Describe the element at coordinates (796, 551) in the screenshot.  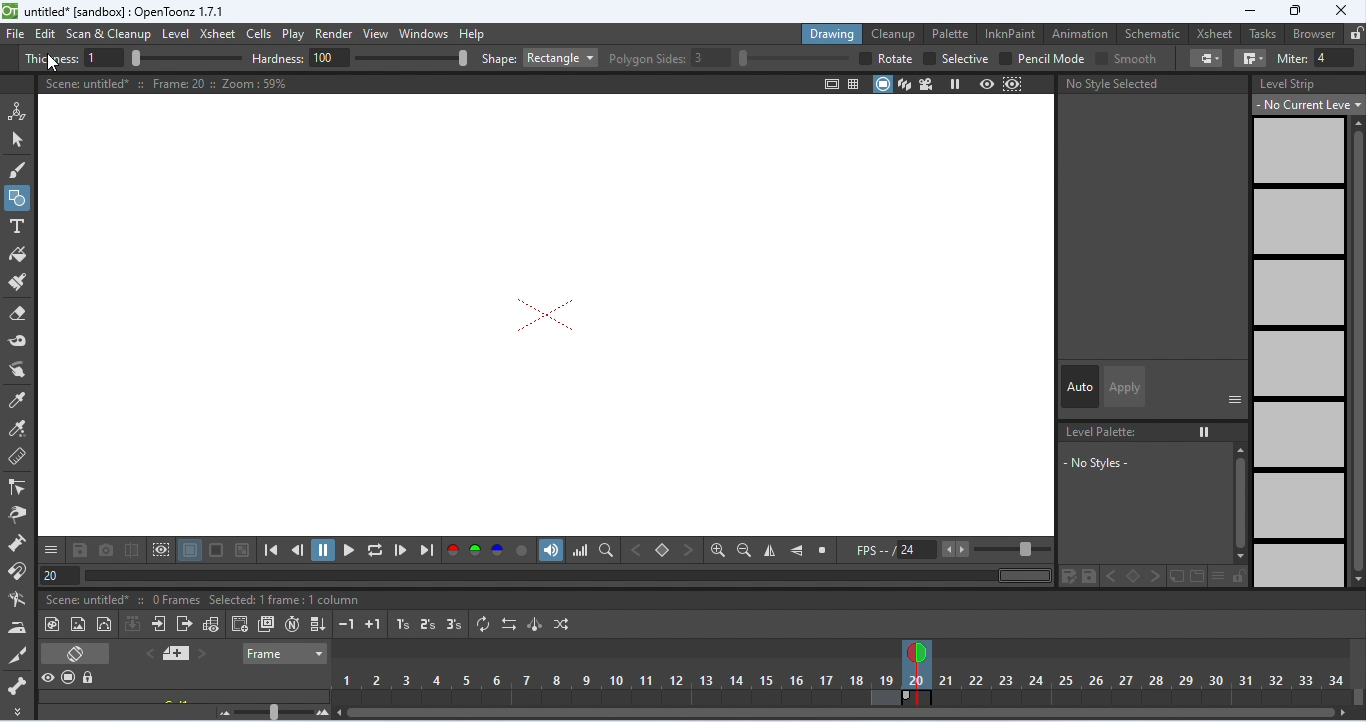
I see `flip vertically` at that location.